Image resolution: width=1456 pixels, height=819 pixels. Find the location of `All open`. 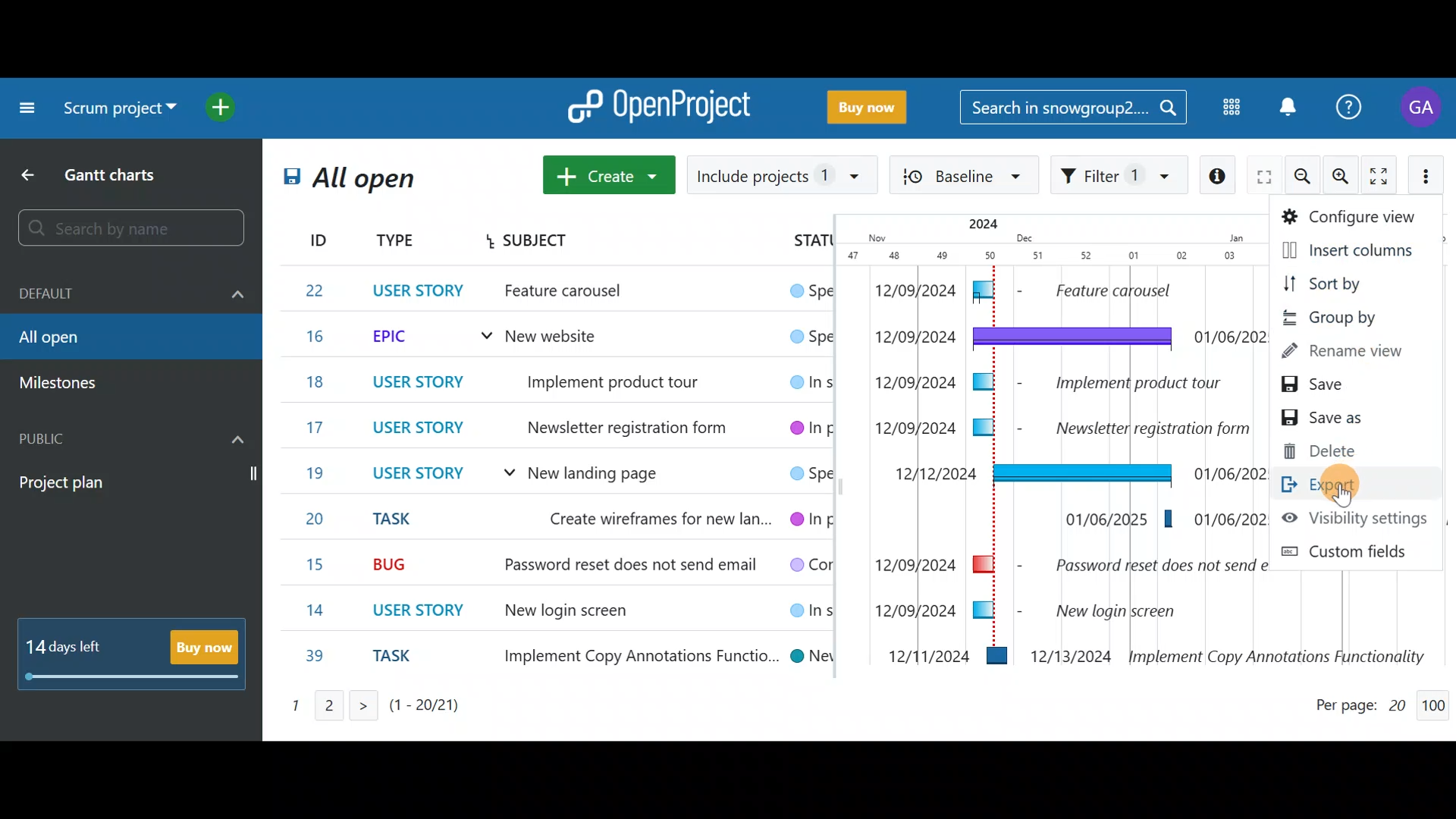

All open is located at coordinates (376, 183).